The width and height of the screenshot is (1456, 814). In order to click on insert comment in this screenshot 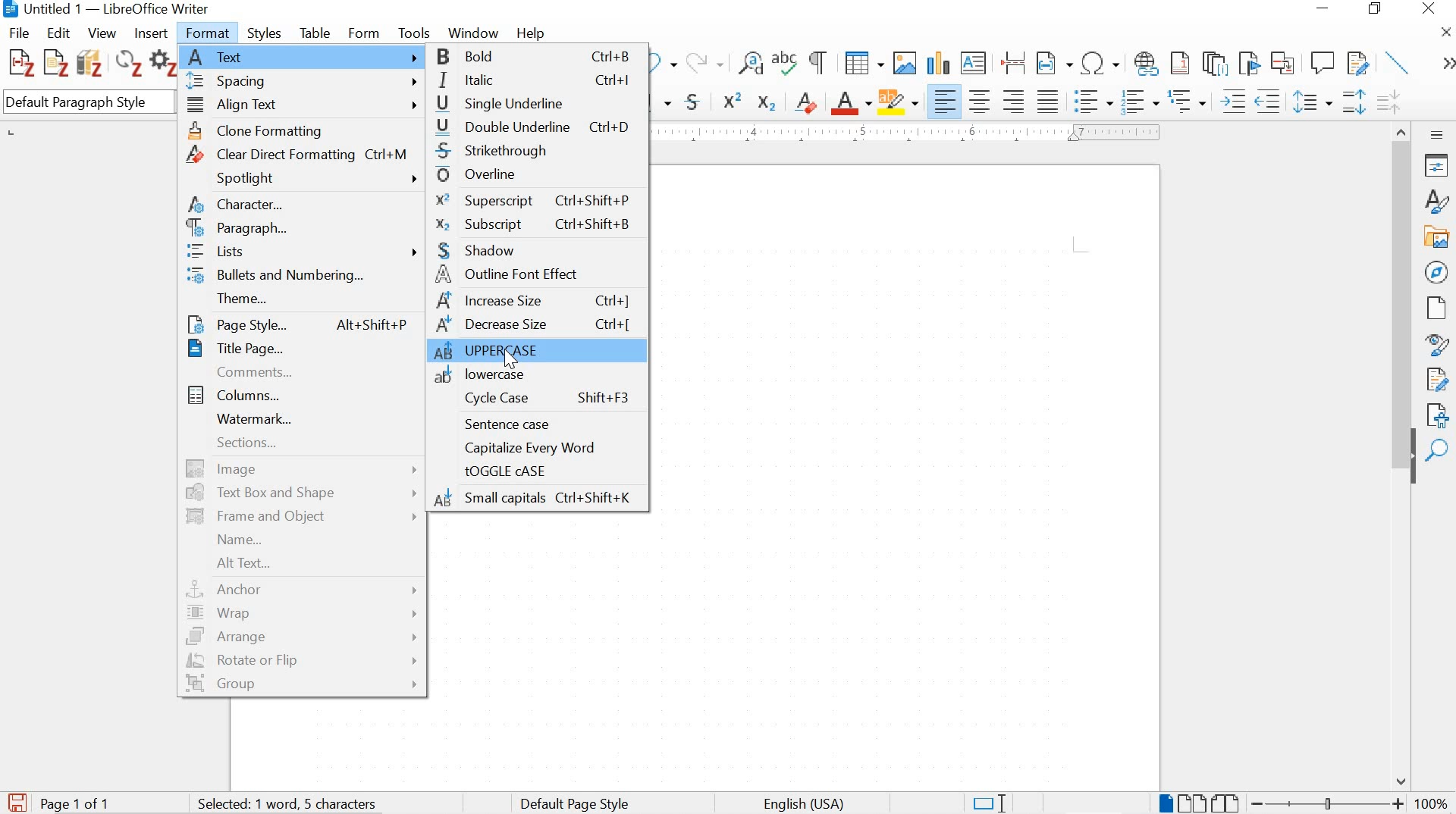, I will do `click(1323, 63)`.